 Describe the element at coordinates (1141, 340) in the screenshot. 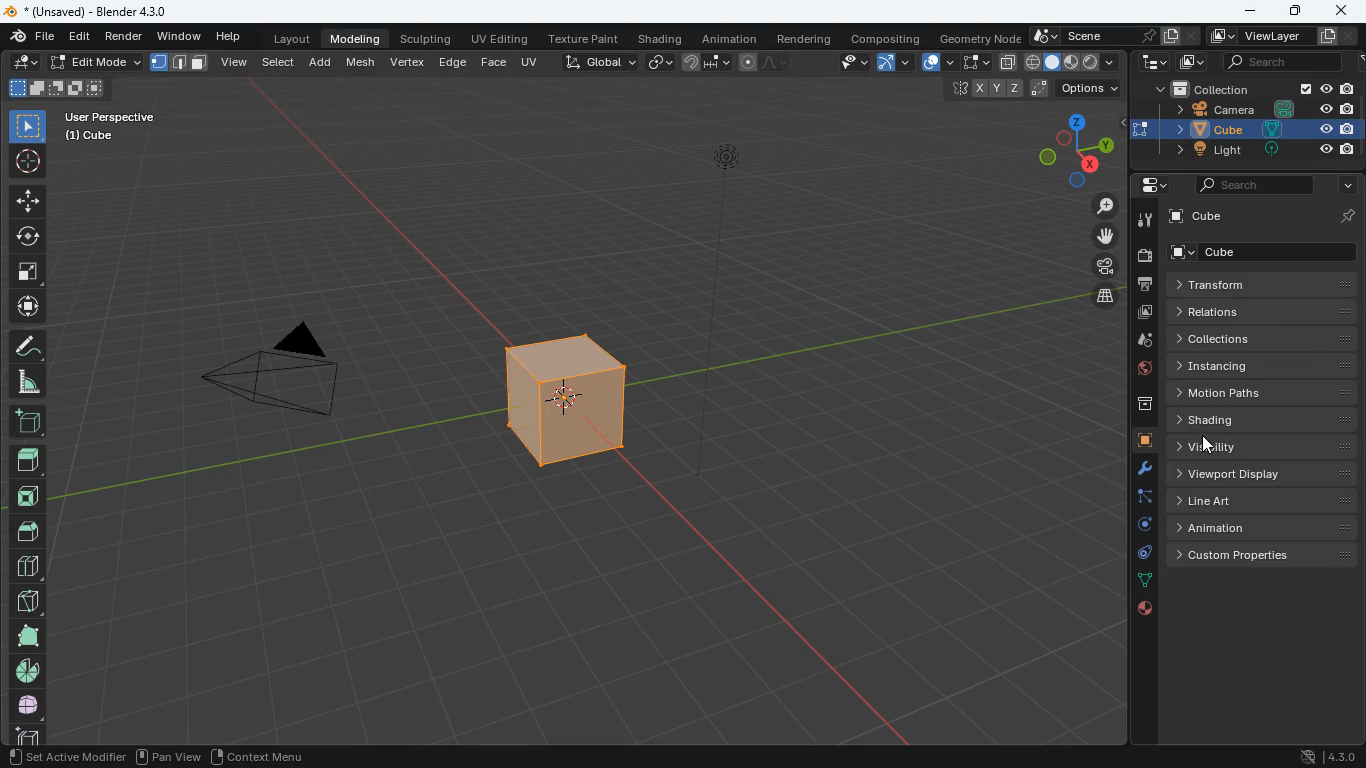

I see `drop` at that location.